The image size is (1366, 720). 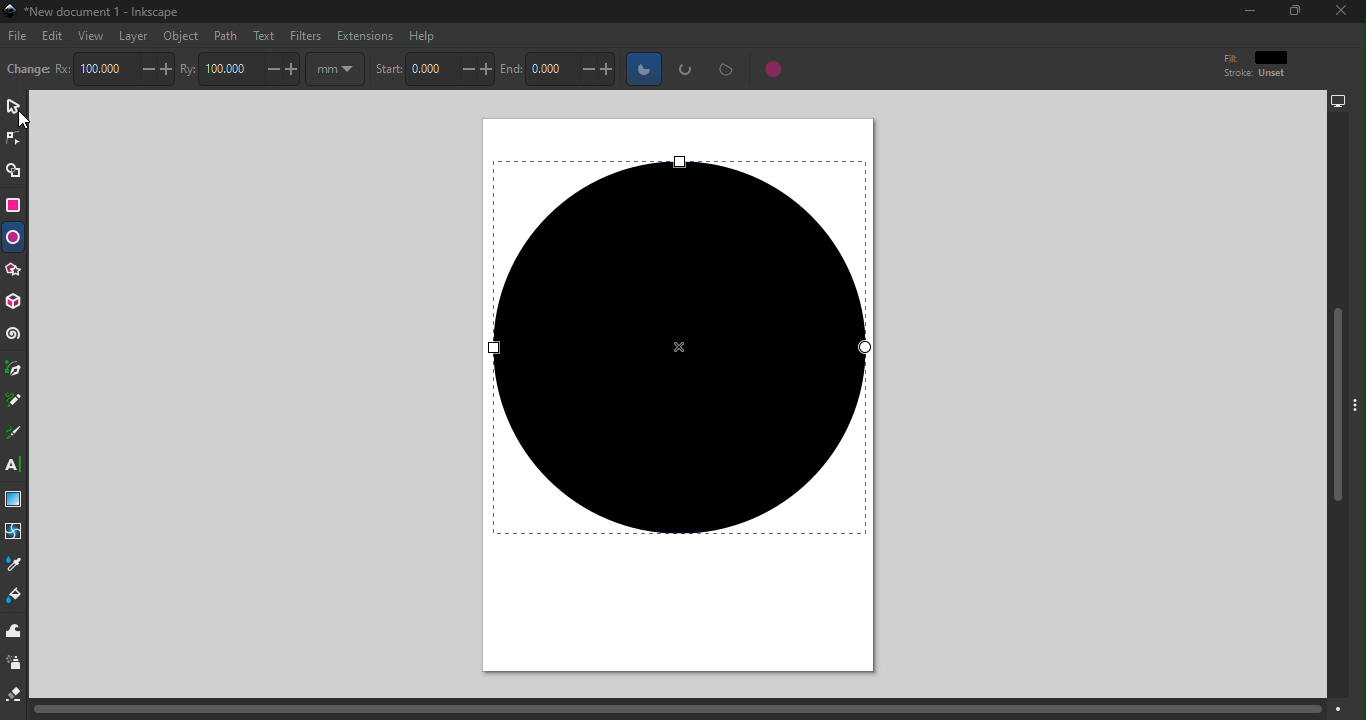 I want to click on Cursor, so click(x=29, y=119).